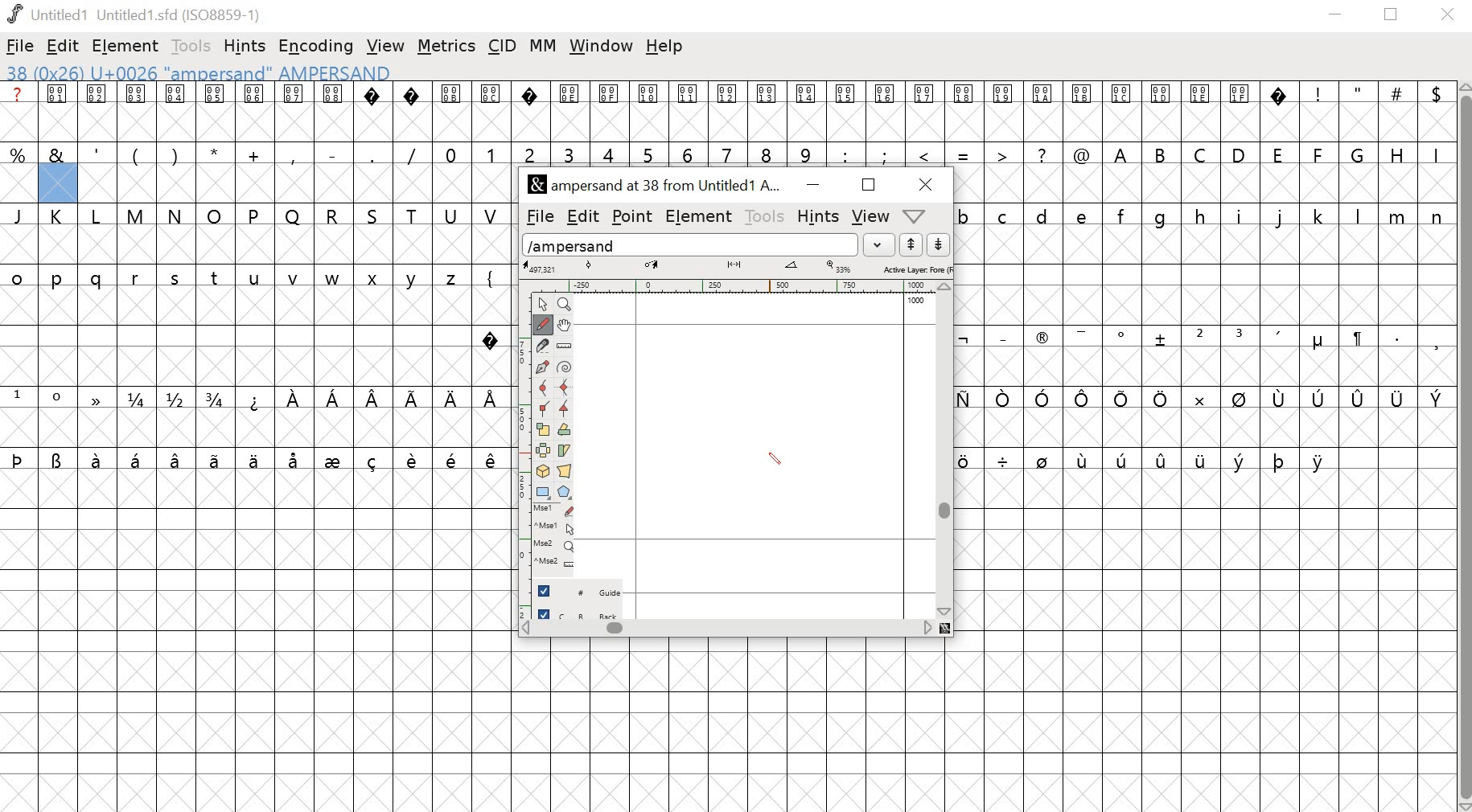 Image resolution: width=1472 pixels, height=812 pixels. Describe the element at coordinates (543, 389) in the screenshot. I see `add a curve point` at that location.